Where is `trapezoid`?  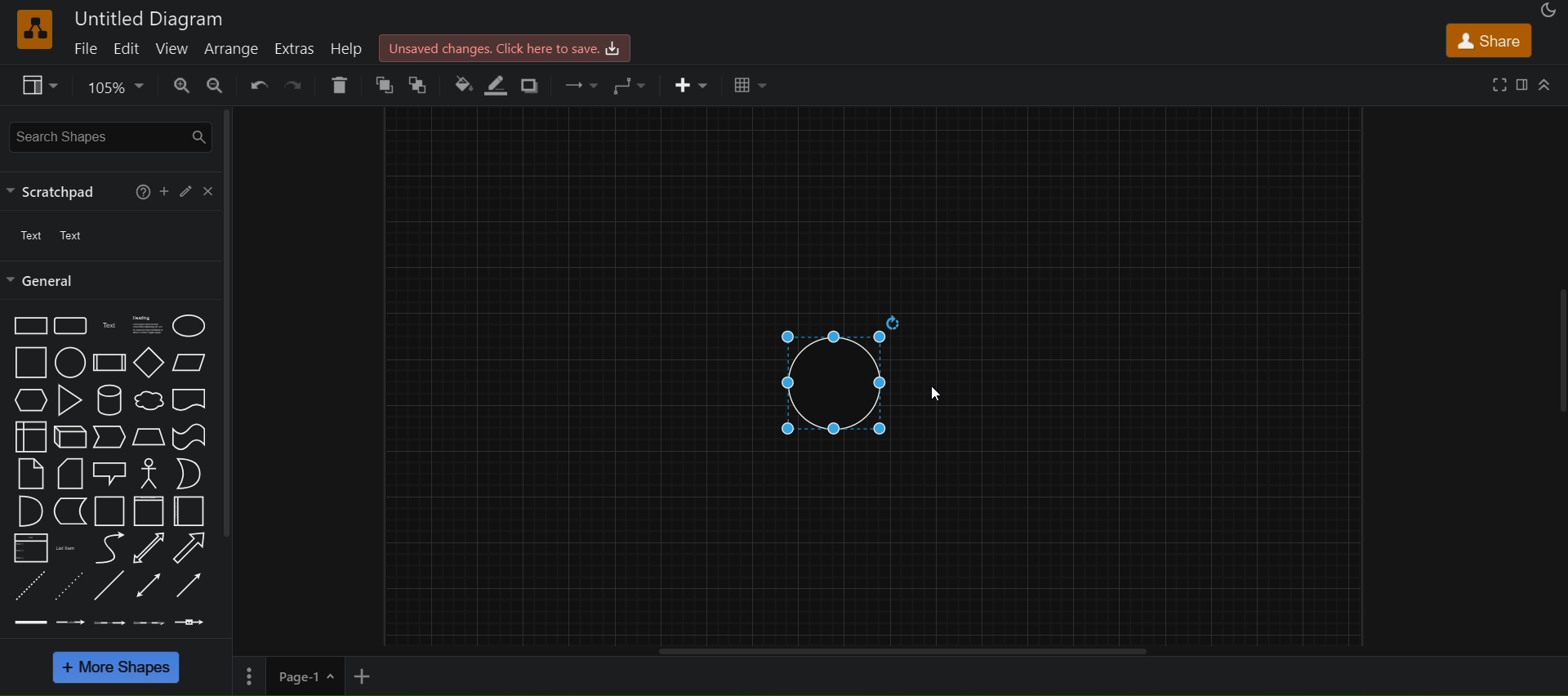
trapezoid is located at coordinates (149, 437).